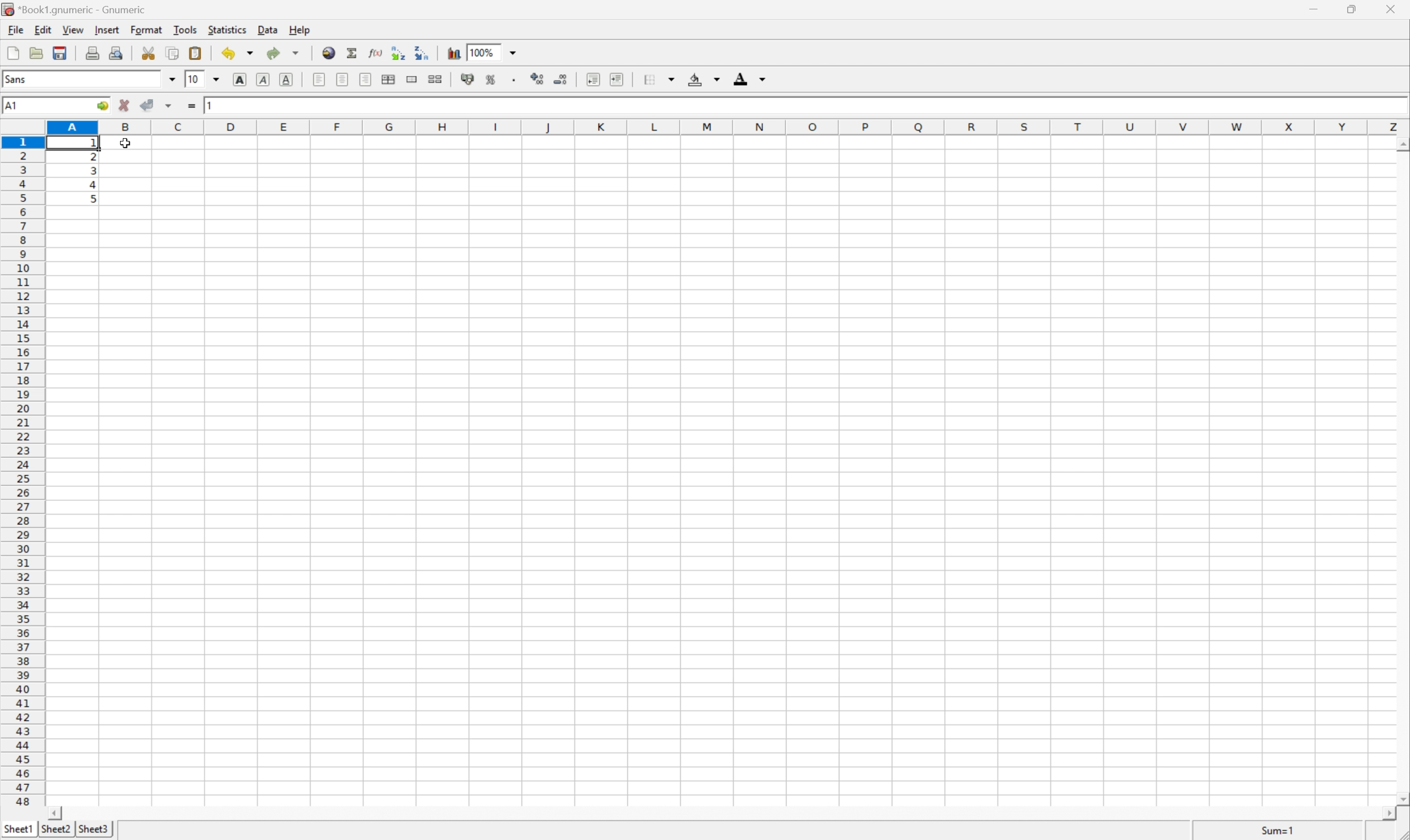 This screenshot has width=1410, height=840. What do you see at coordinates (73, 29) in the screenshot?
I see `View` at bounding box center [73, 29].